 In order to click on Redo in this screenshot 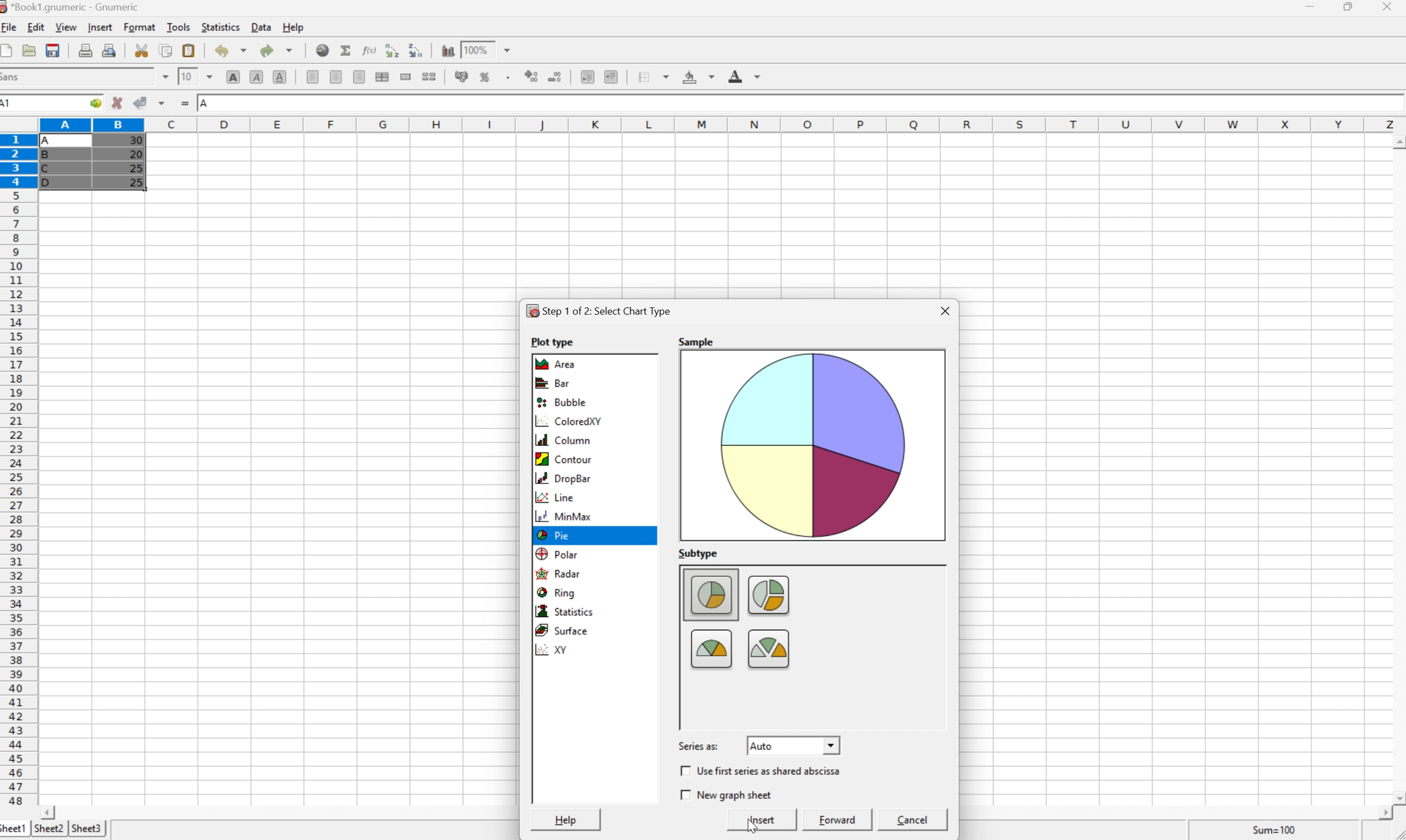, I will do `click(275, 49)`.